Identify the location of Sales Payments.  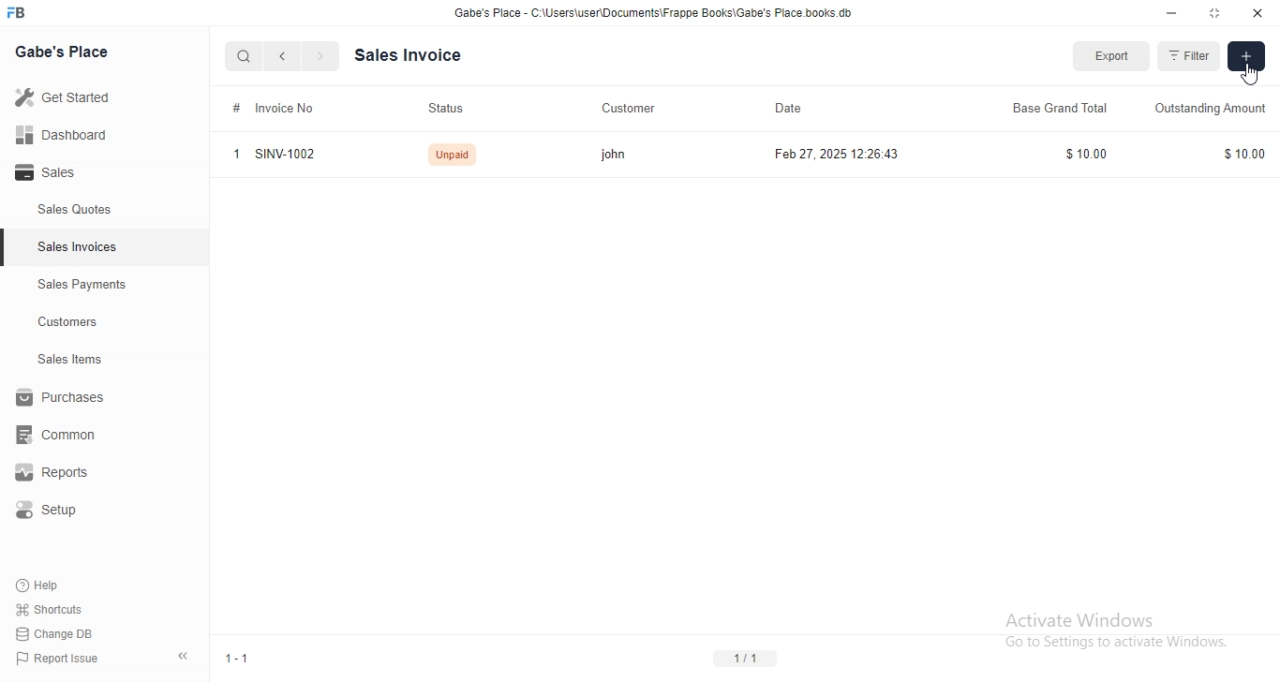
(77, 285).